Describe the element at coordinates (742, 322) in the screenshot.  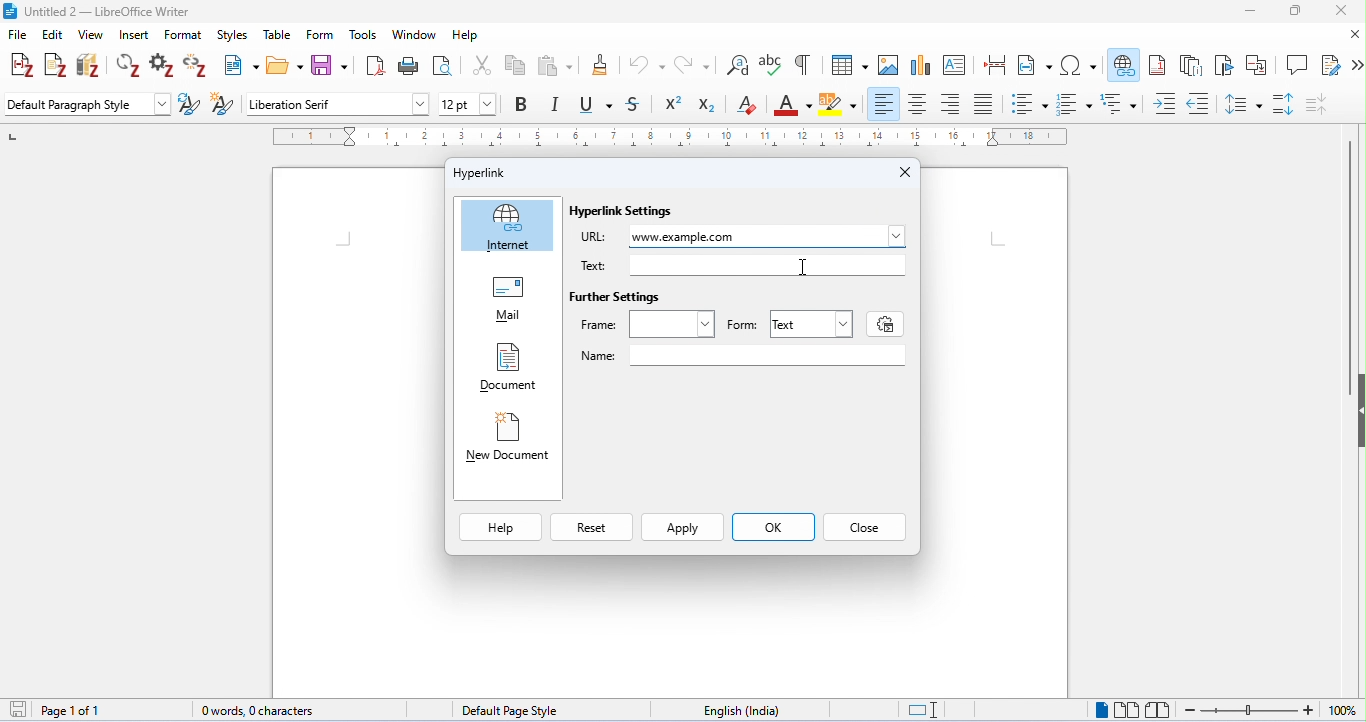
I see `Form: |` at that location.